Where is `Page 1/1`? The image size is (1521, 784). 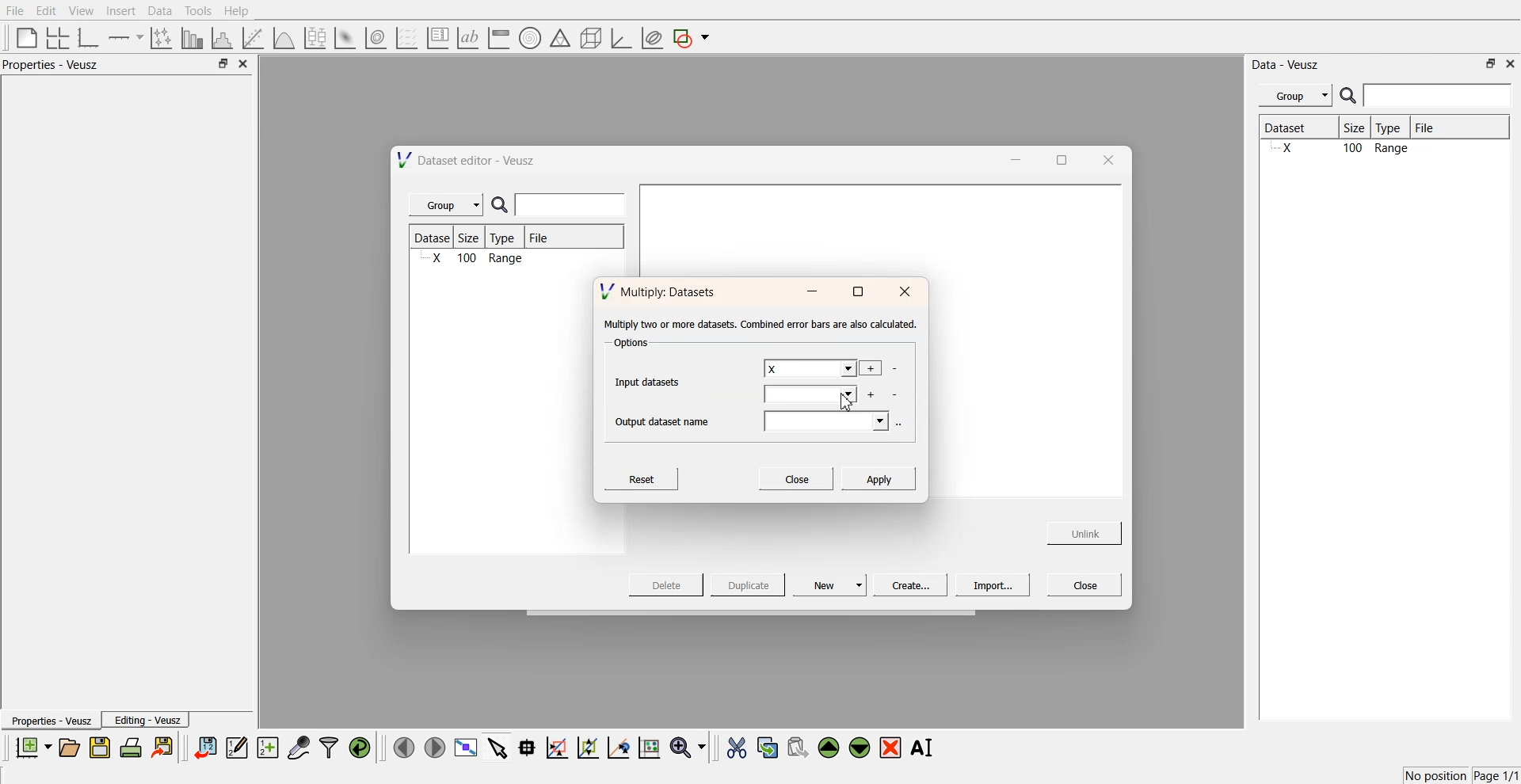
Page 1/1 is located at coordinates (1497, 776).